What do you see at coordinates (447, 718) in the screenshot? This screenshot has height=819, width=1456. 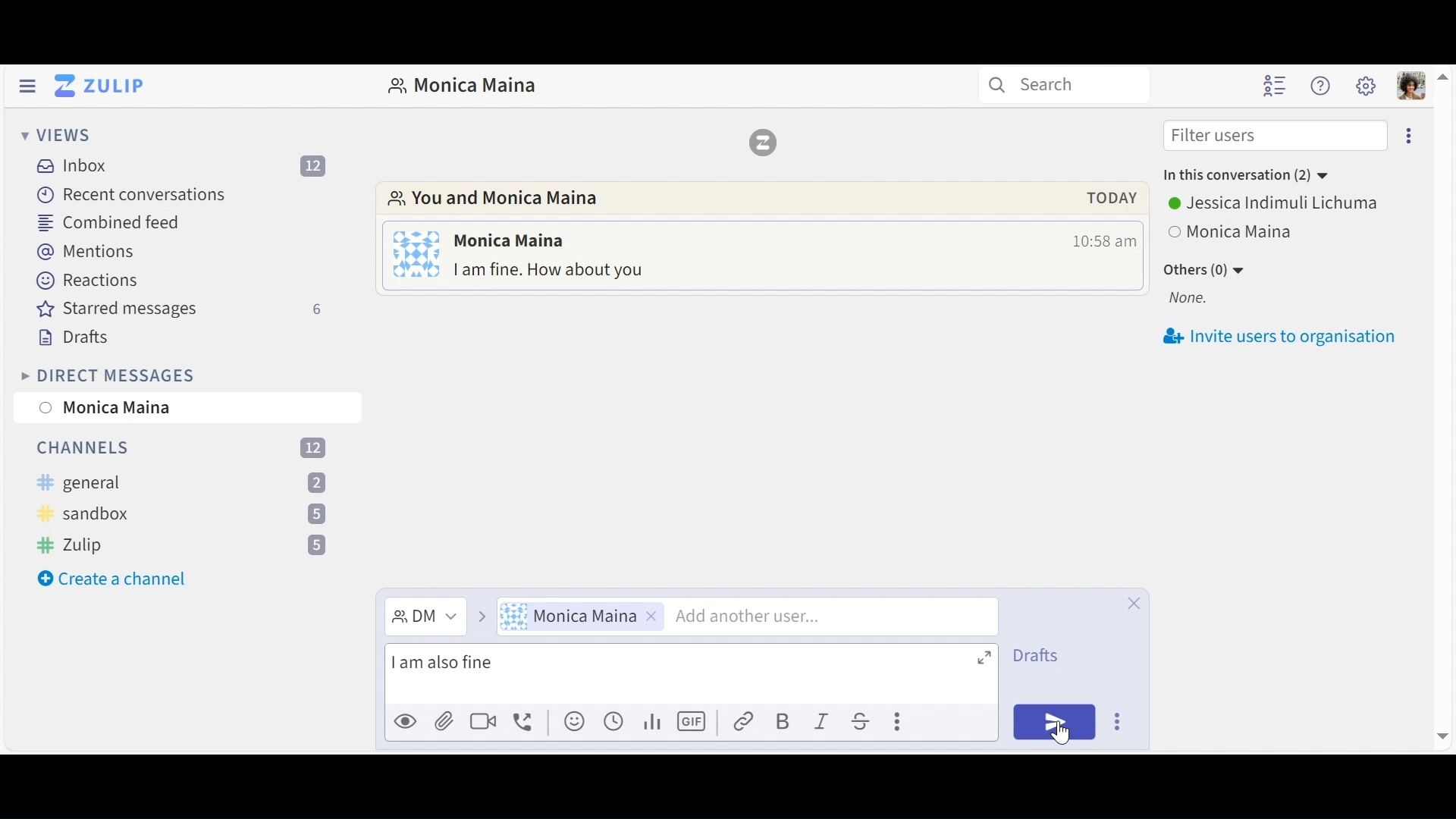 I see `Upload file` at bounding box center [447, 718].